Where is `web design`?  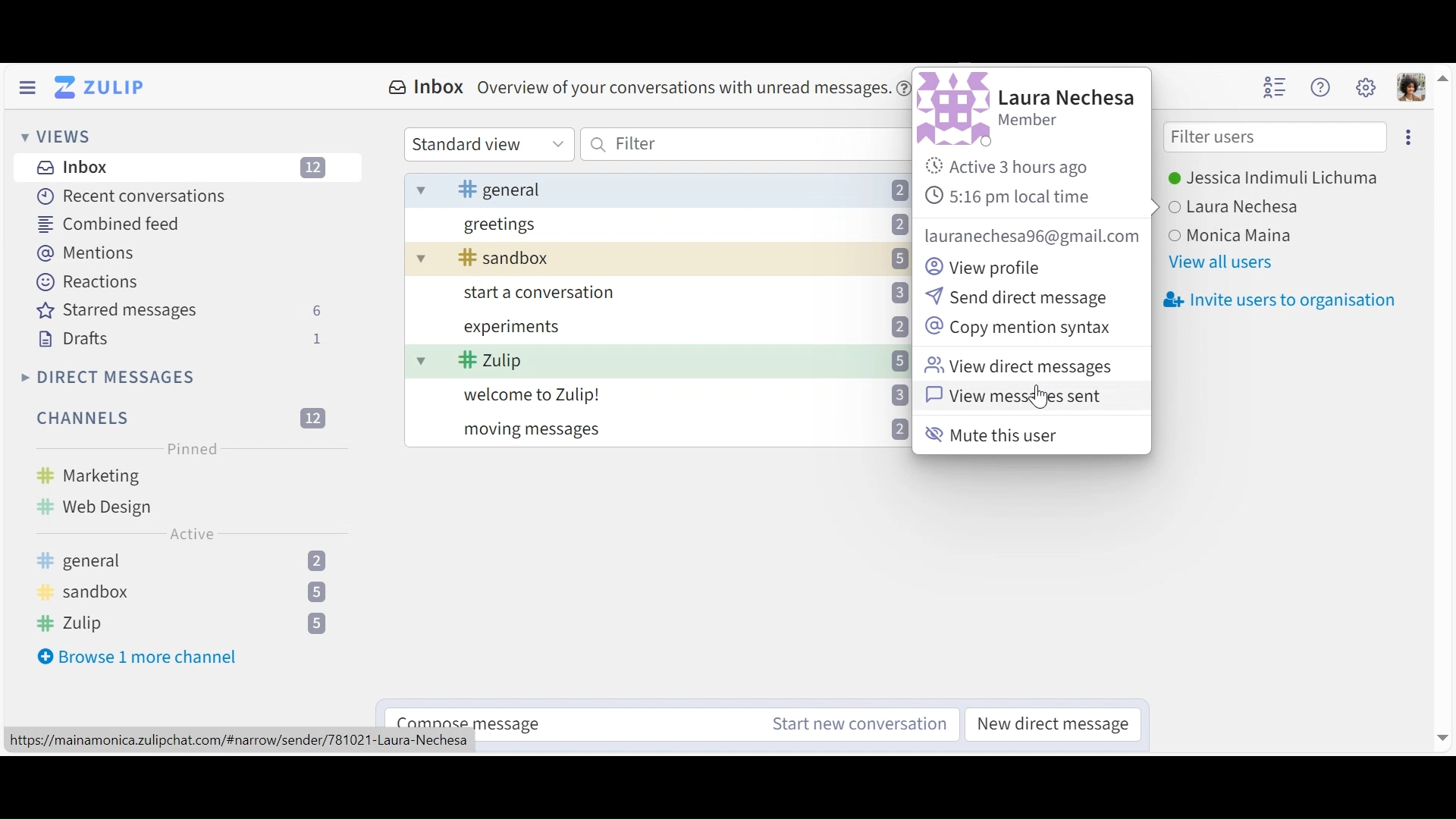
web design is located at coordinates (108, 506).